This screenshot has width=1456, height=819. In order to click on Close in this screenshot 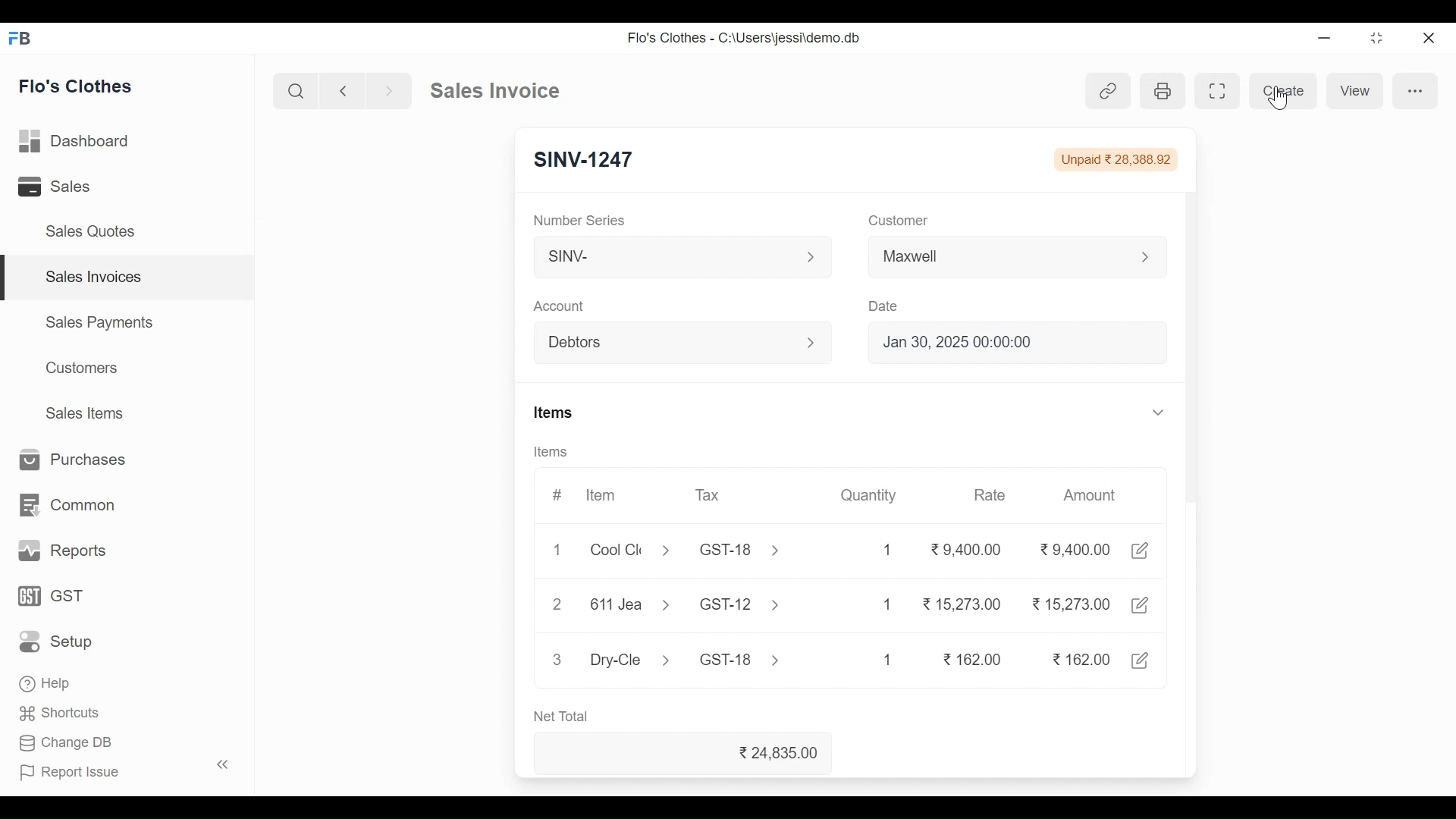, I will do `click(1426, 39)`.